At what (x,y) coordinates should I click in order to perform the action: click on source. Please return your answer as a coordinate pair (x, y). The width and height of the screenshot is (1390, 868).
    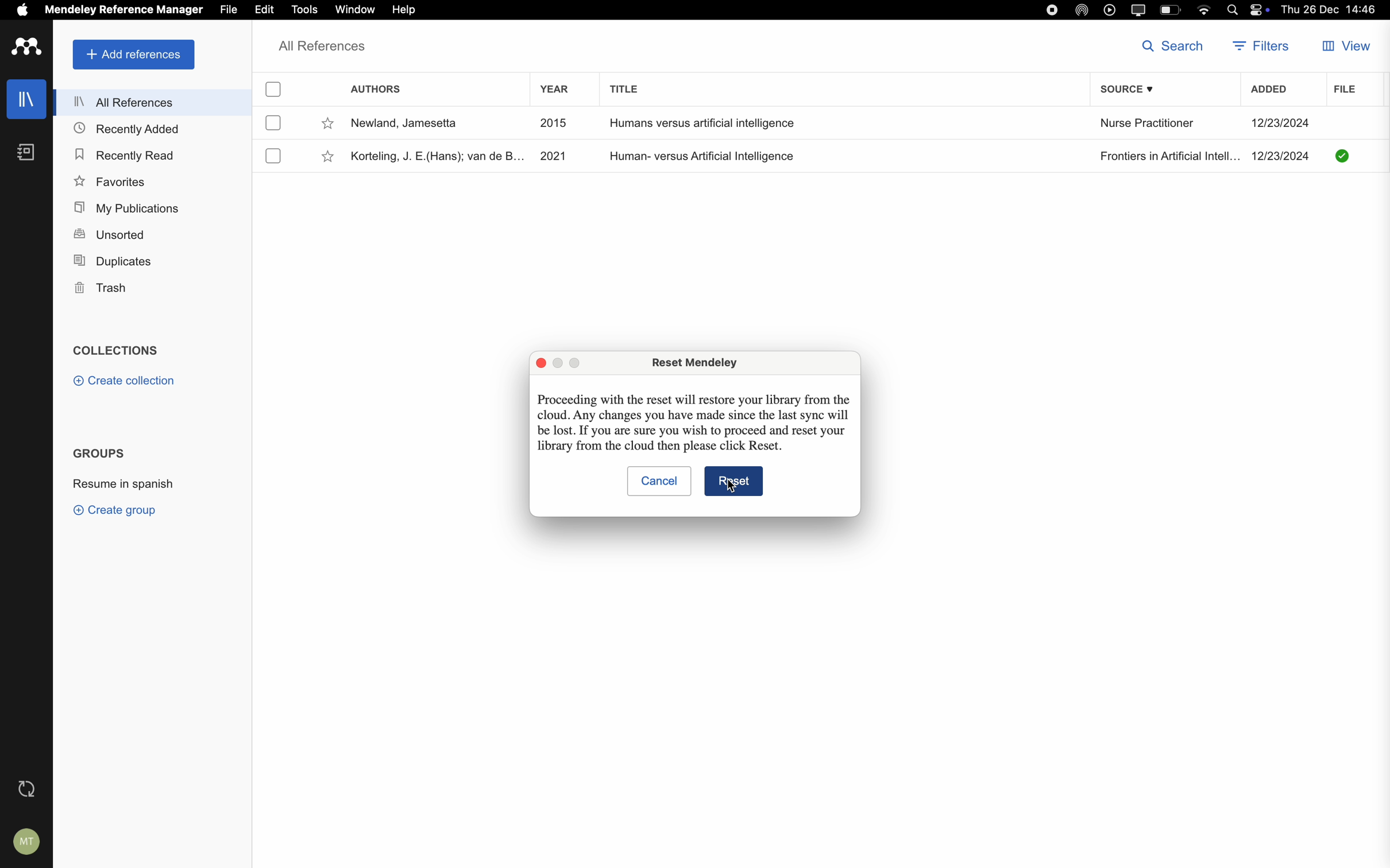
    Looking at the image, I should click on (1129, 92).